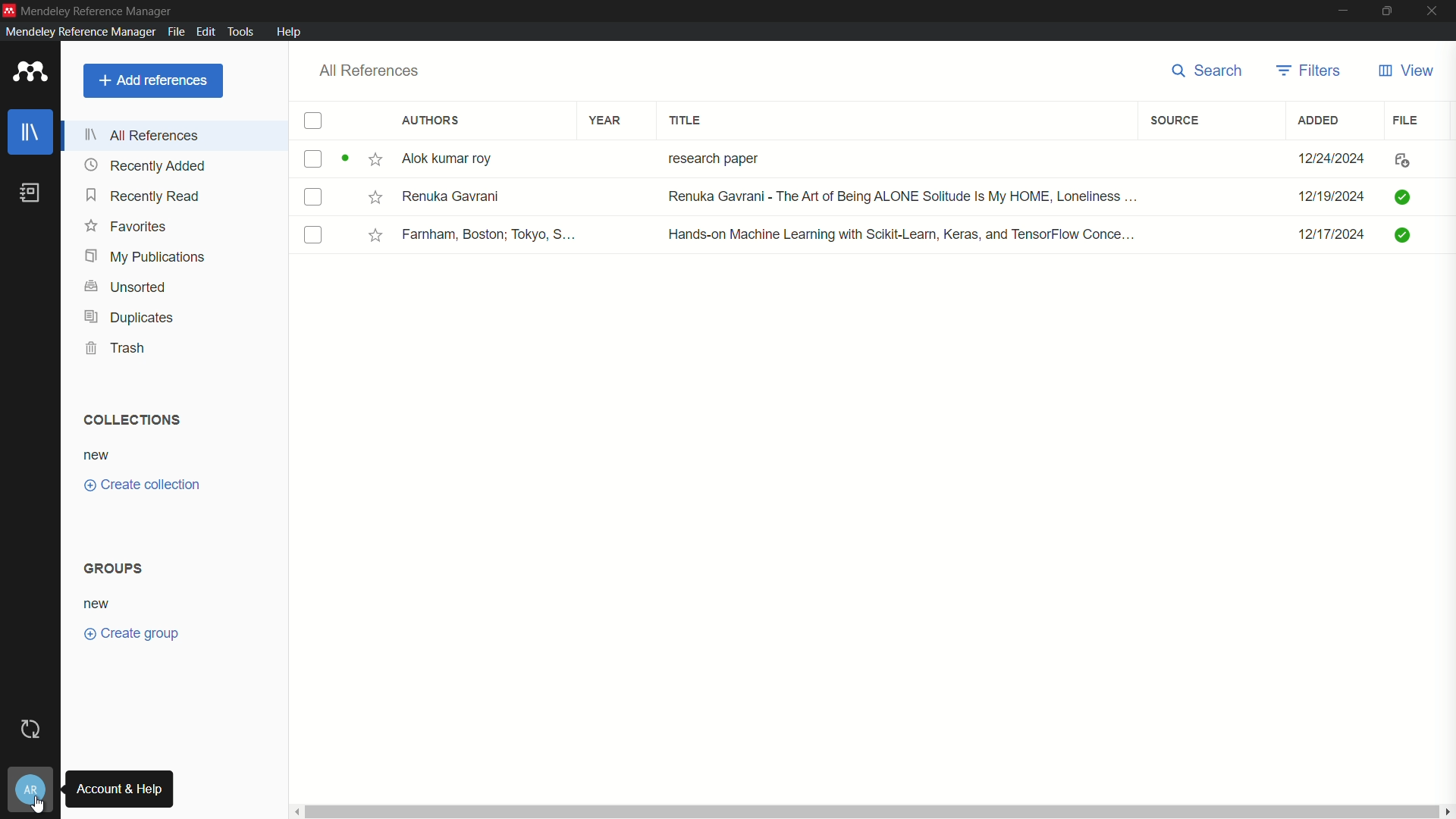 The image size is (1456, 819). What do you see at coordinates (914, 236) in the screenshot?
I see `book-3` at bounding box center [914, 236].